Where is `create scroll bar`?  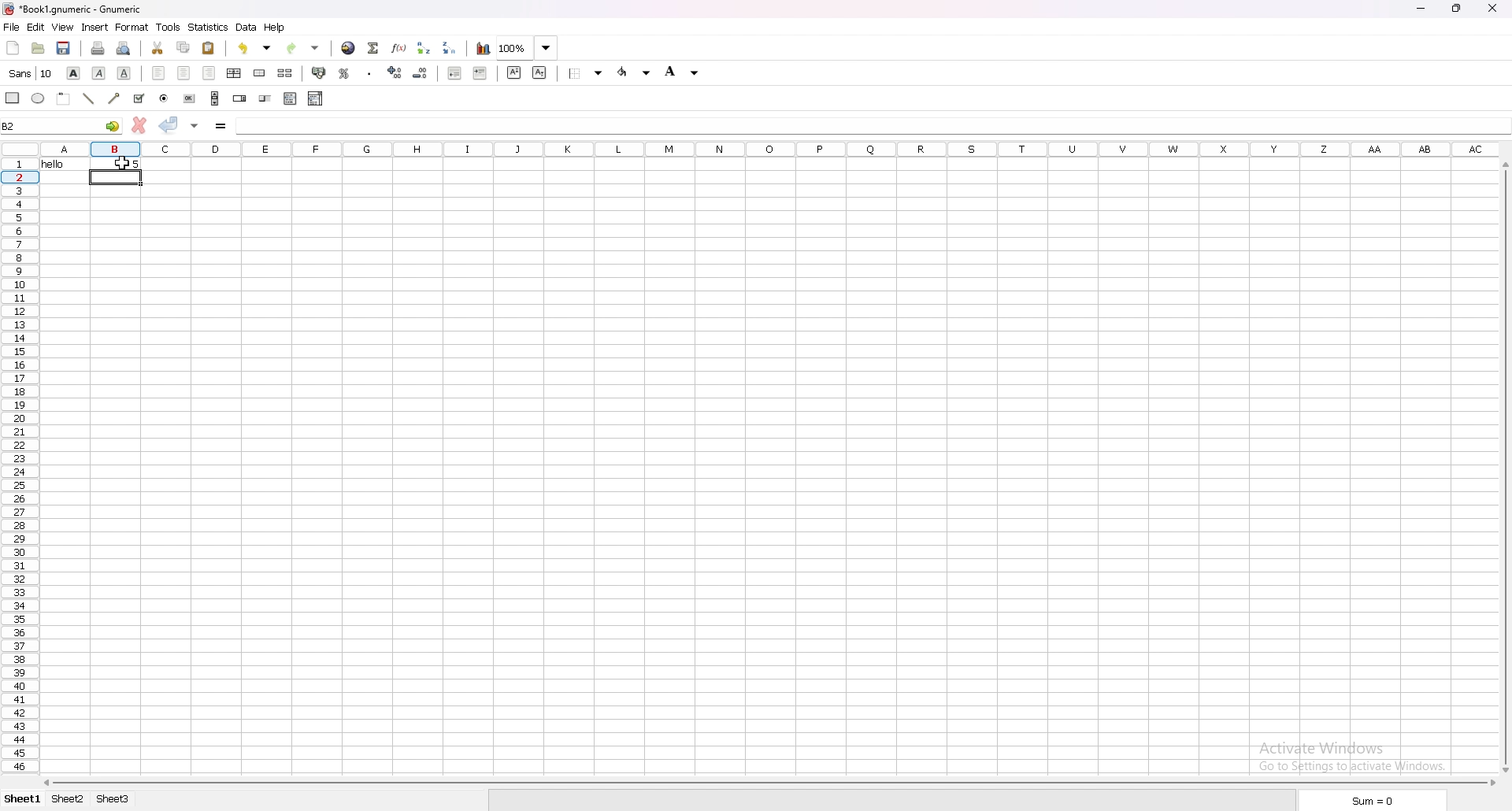
create scroll bar is located at coordinates (214, 98).